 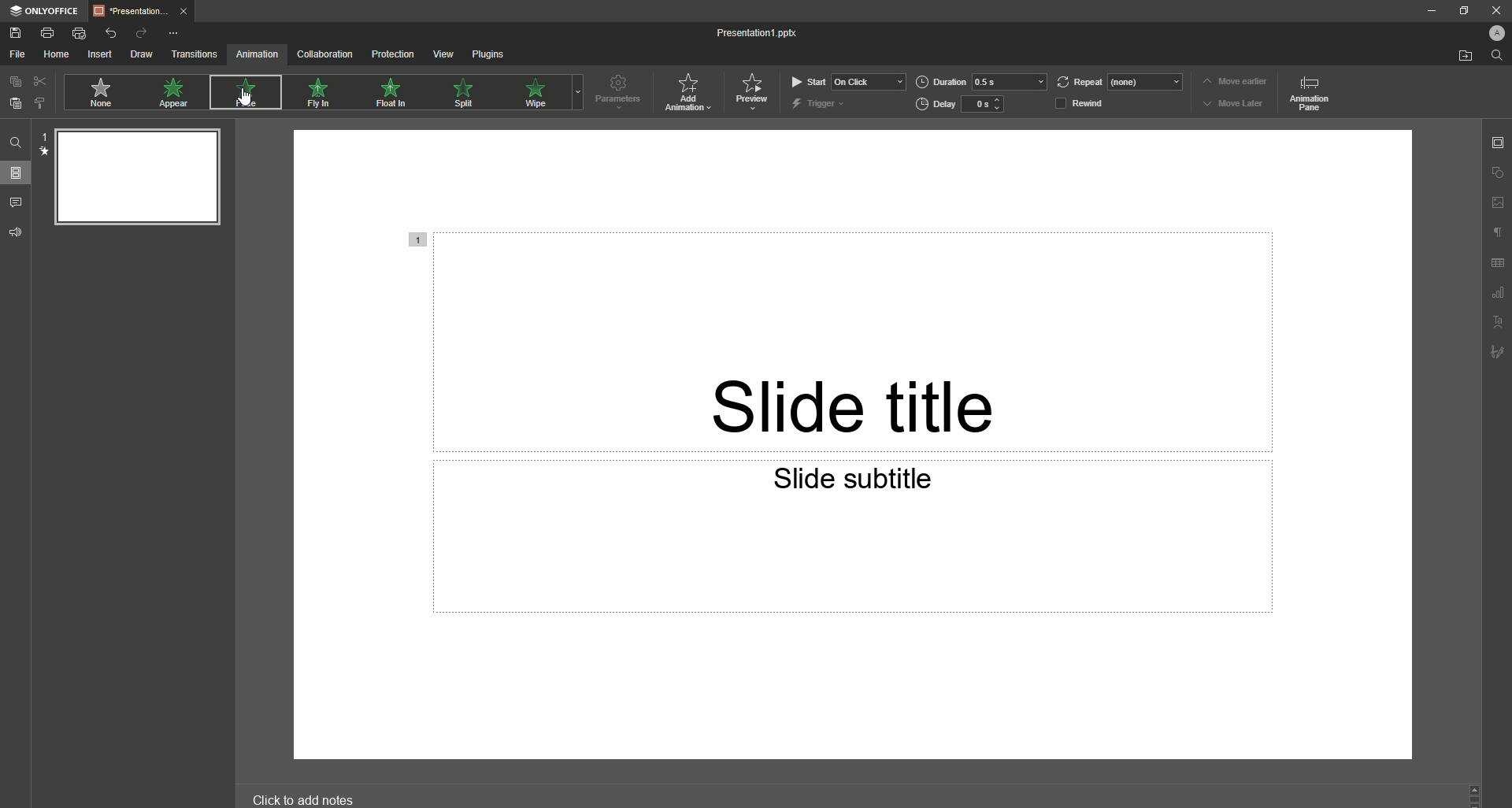 I want to click on Cut, so click(x=37, y=82).